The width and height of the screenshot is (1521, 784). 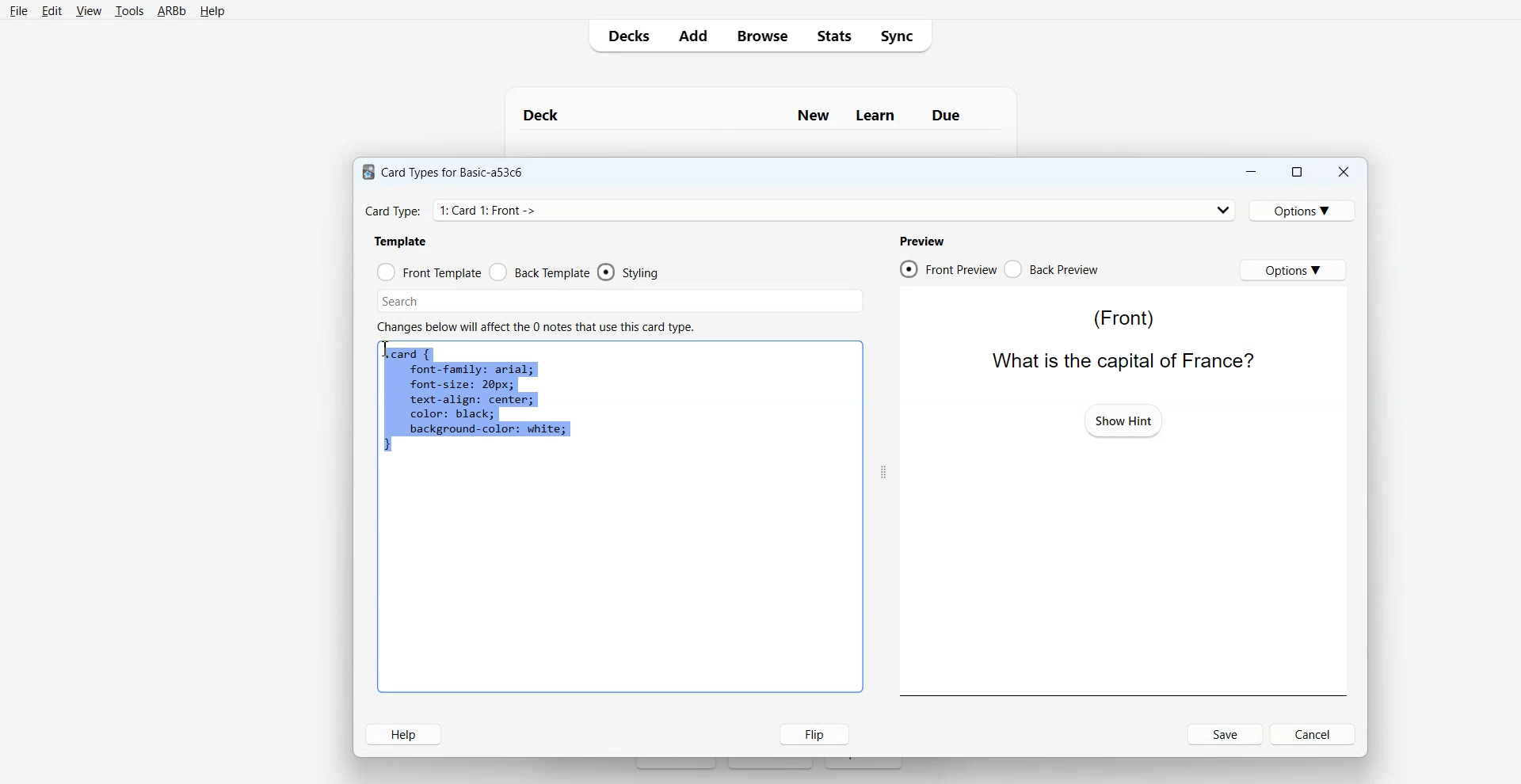 I want to click on Maximize, so click(x=1295, y=172).